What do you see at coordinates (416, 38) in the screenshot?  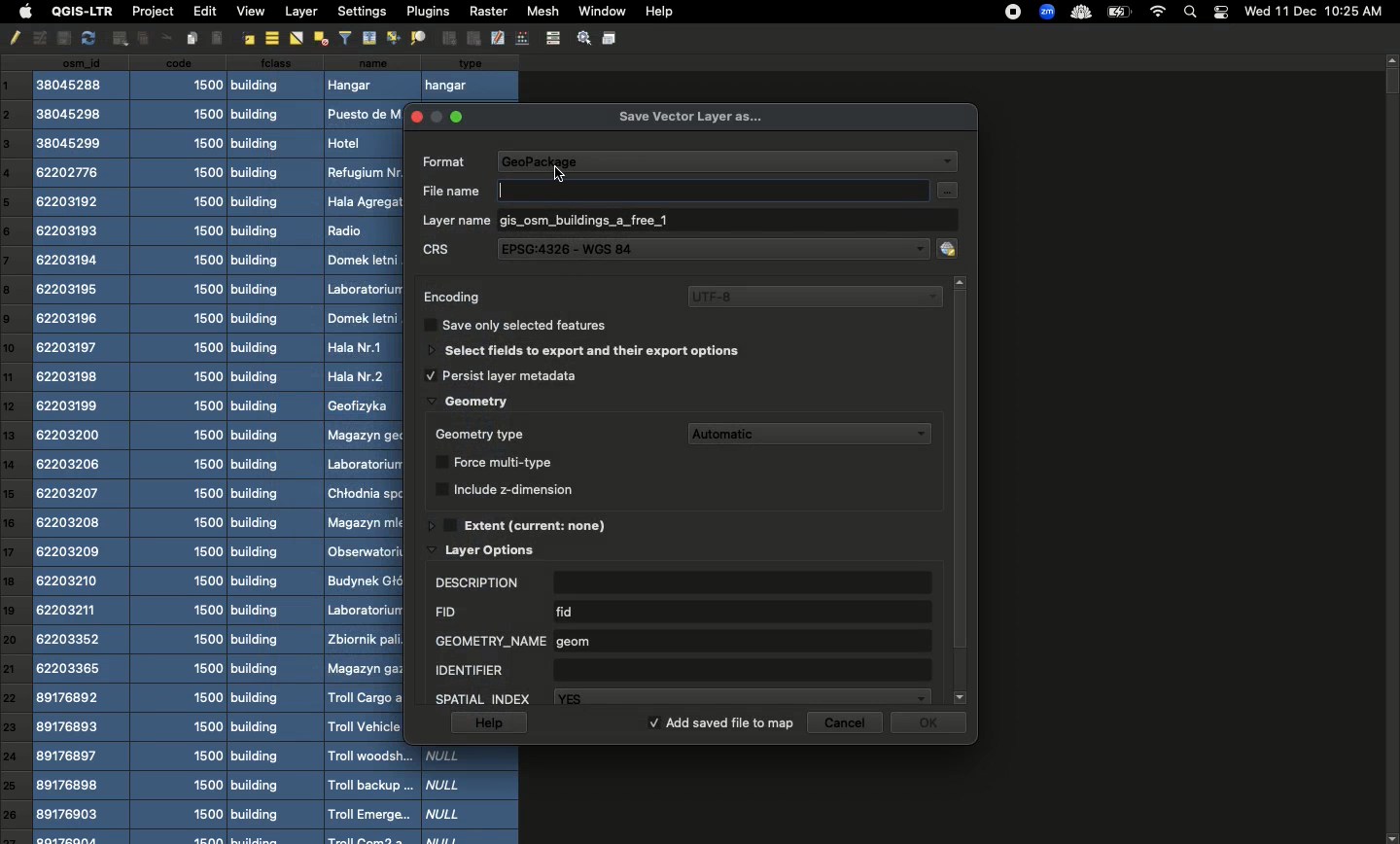 I see `Distribute Objects Evenly` at bounding box center [416, 38].